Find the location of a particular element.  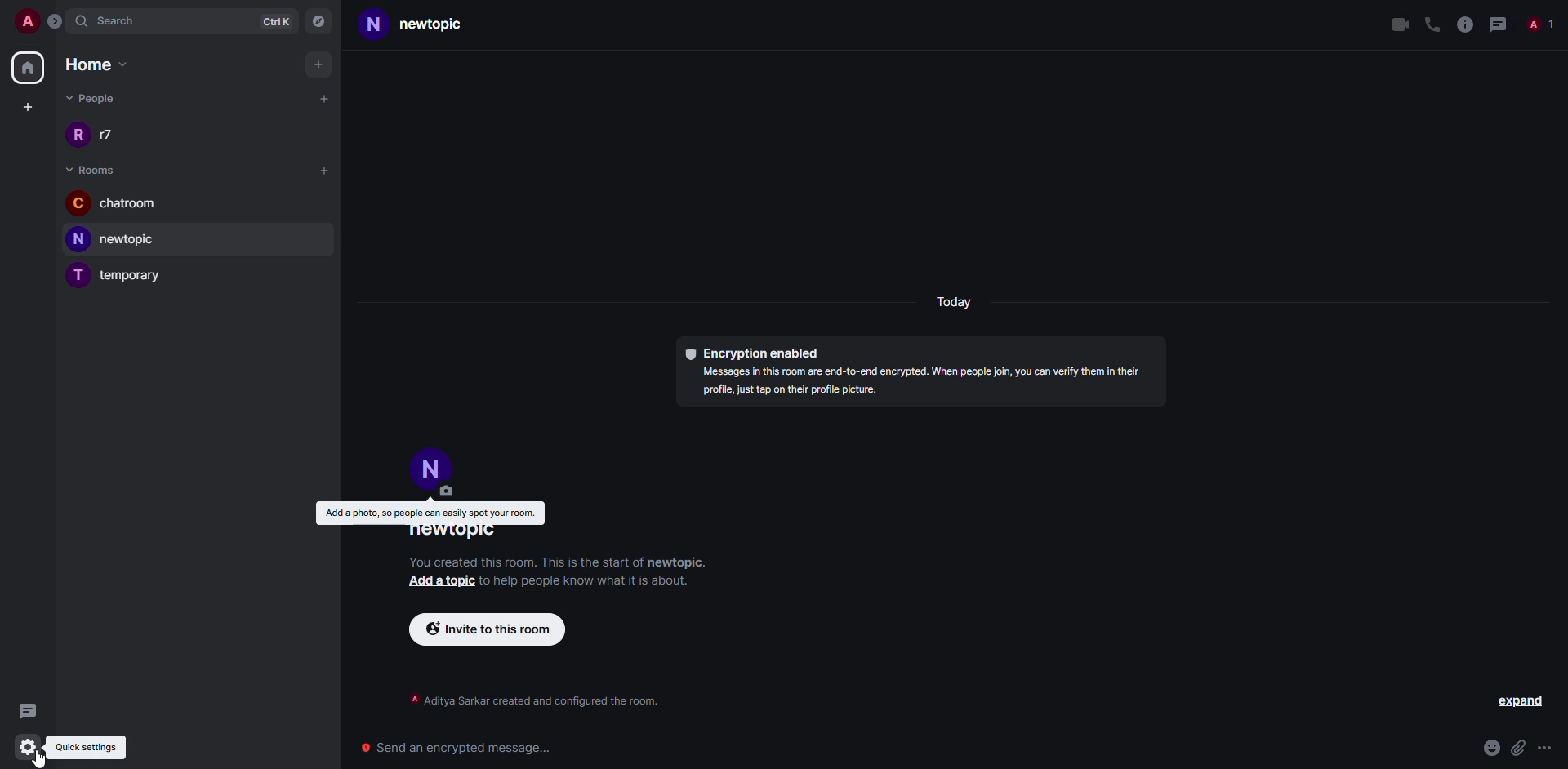

day is located at coordinates (952, 298).